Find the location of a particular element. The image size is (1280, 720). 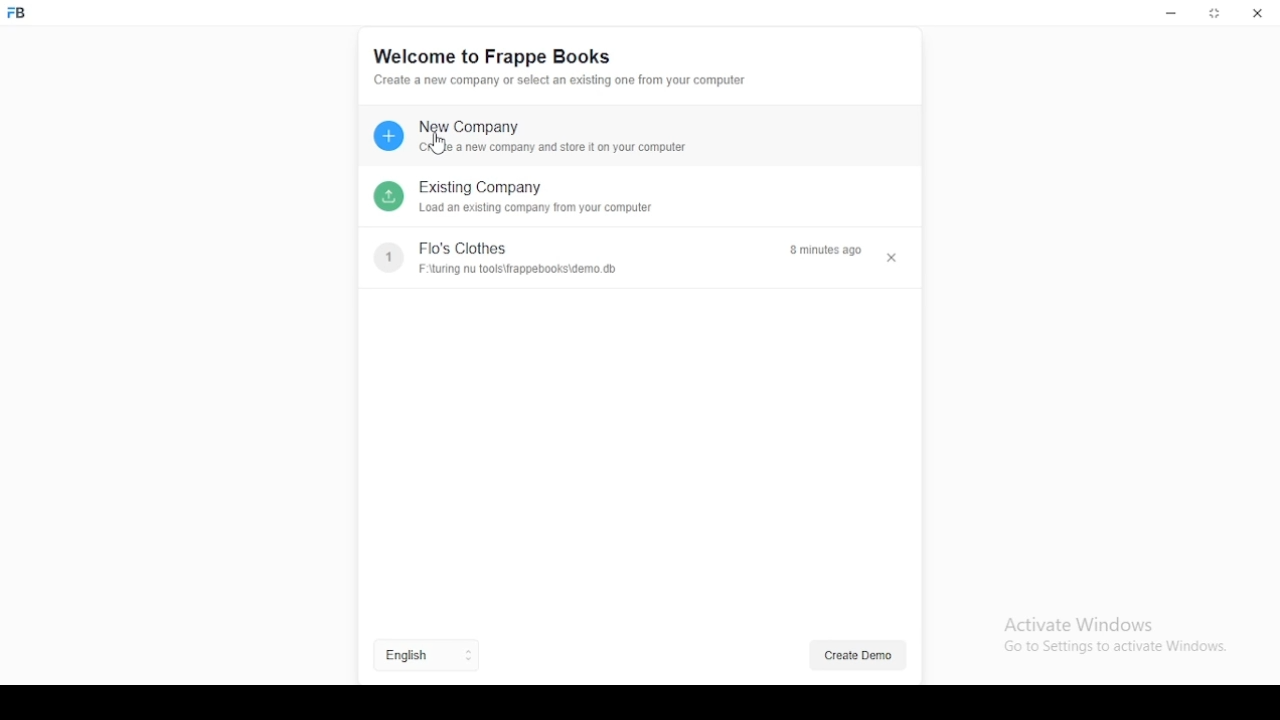

FB is located at coordinates (23, 13).